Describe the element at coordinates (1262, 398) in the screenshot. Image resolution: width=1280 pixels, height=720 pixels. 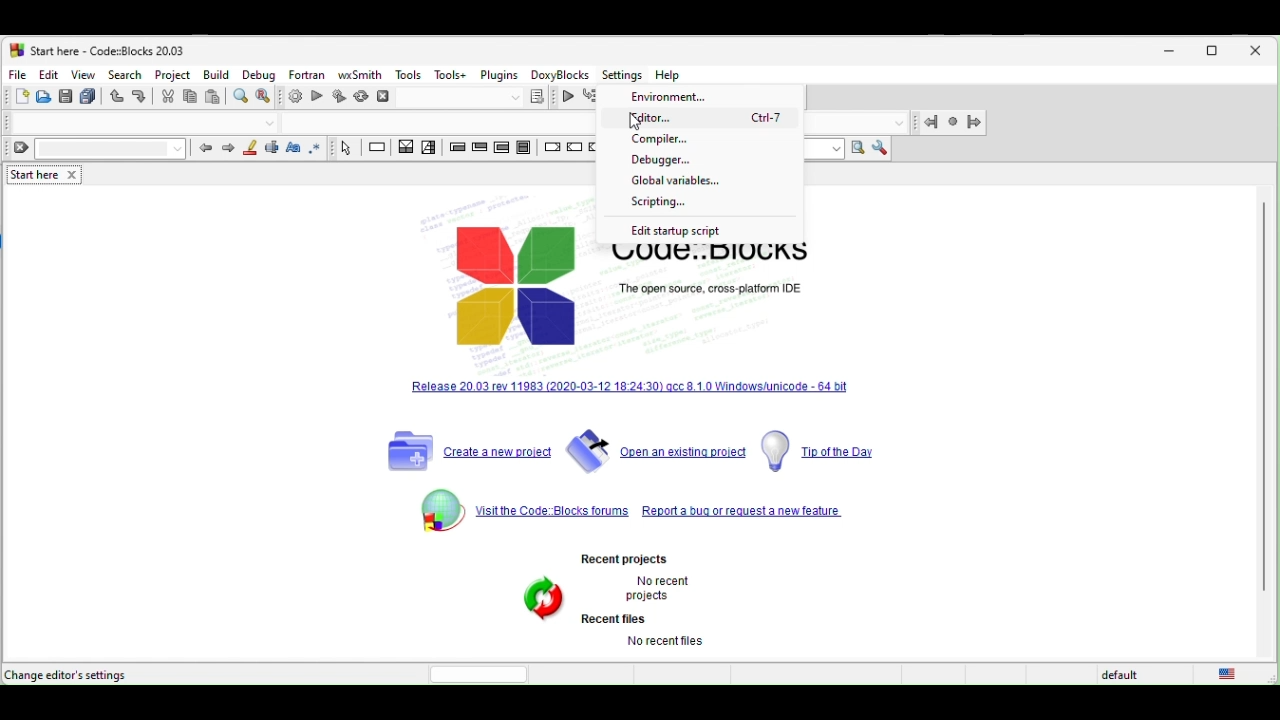
I see `vertical scroll bar` at that location.